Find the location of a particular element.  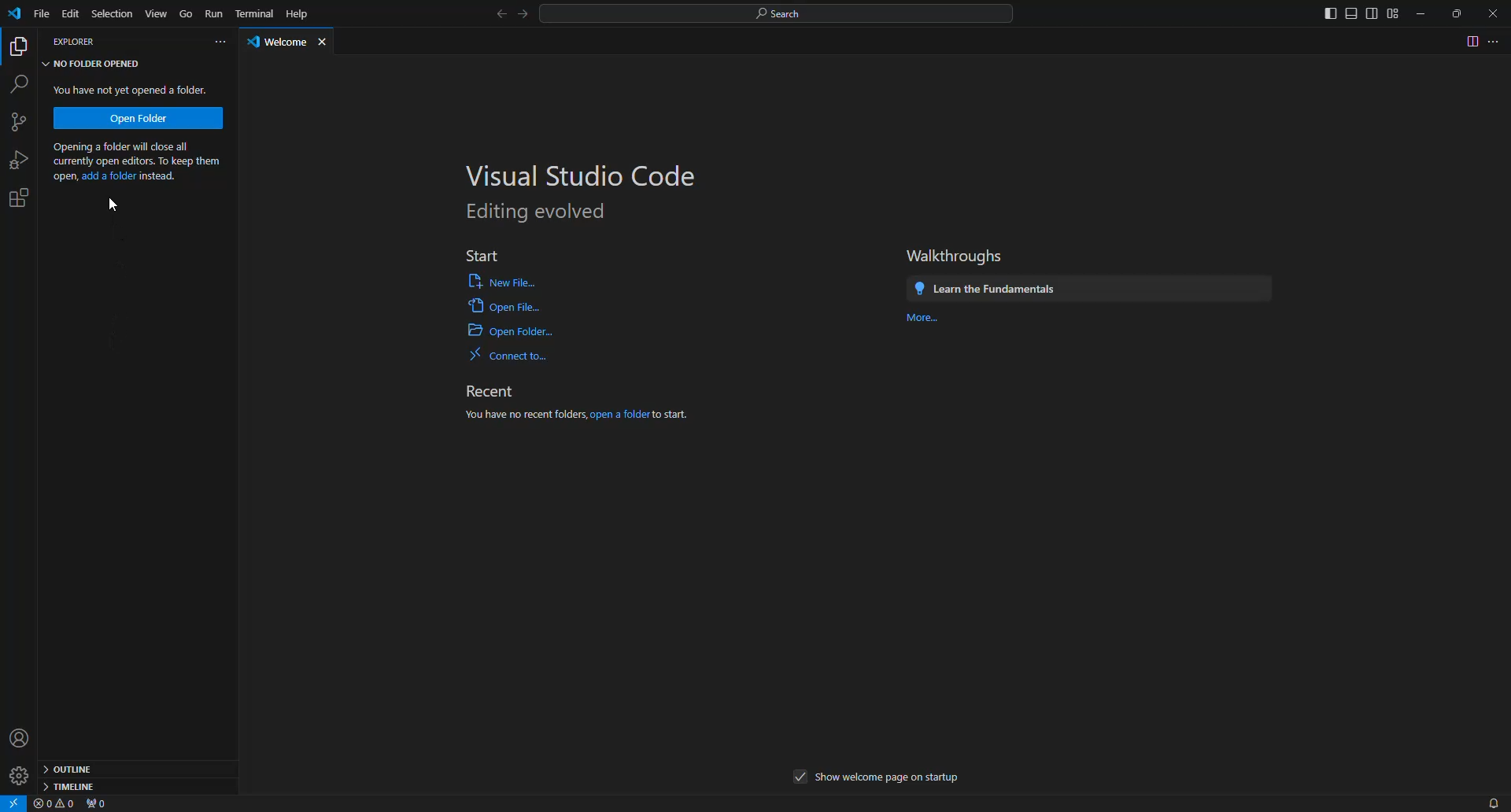

toggle primary sidebar is located at coordinates (1329, 13).